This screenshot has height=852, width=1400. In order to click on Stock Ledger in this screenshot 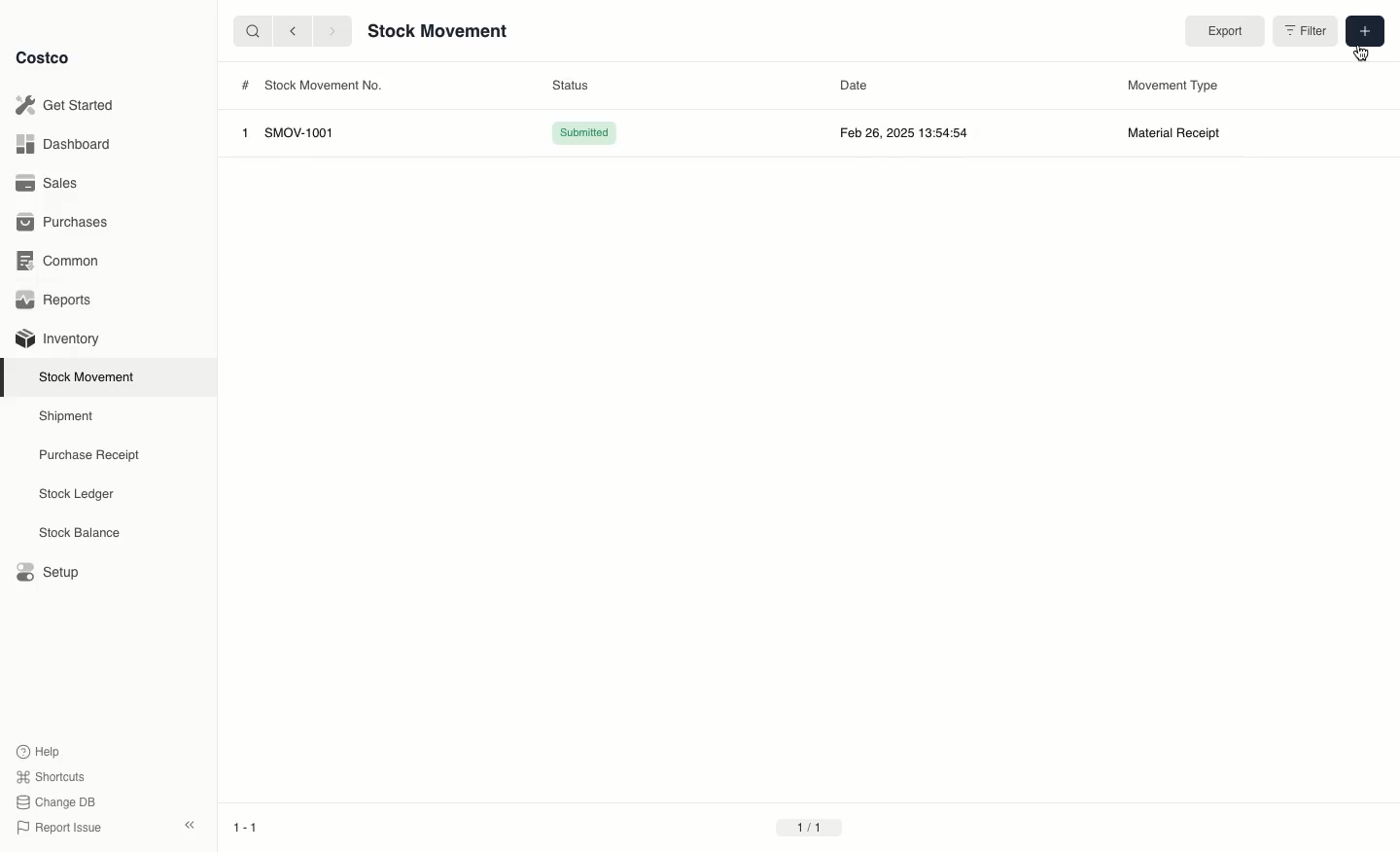, I will do `click(77, 496)`.